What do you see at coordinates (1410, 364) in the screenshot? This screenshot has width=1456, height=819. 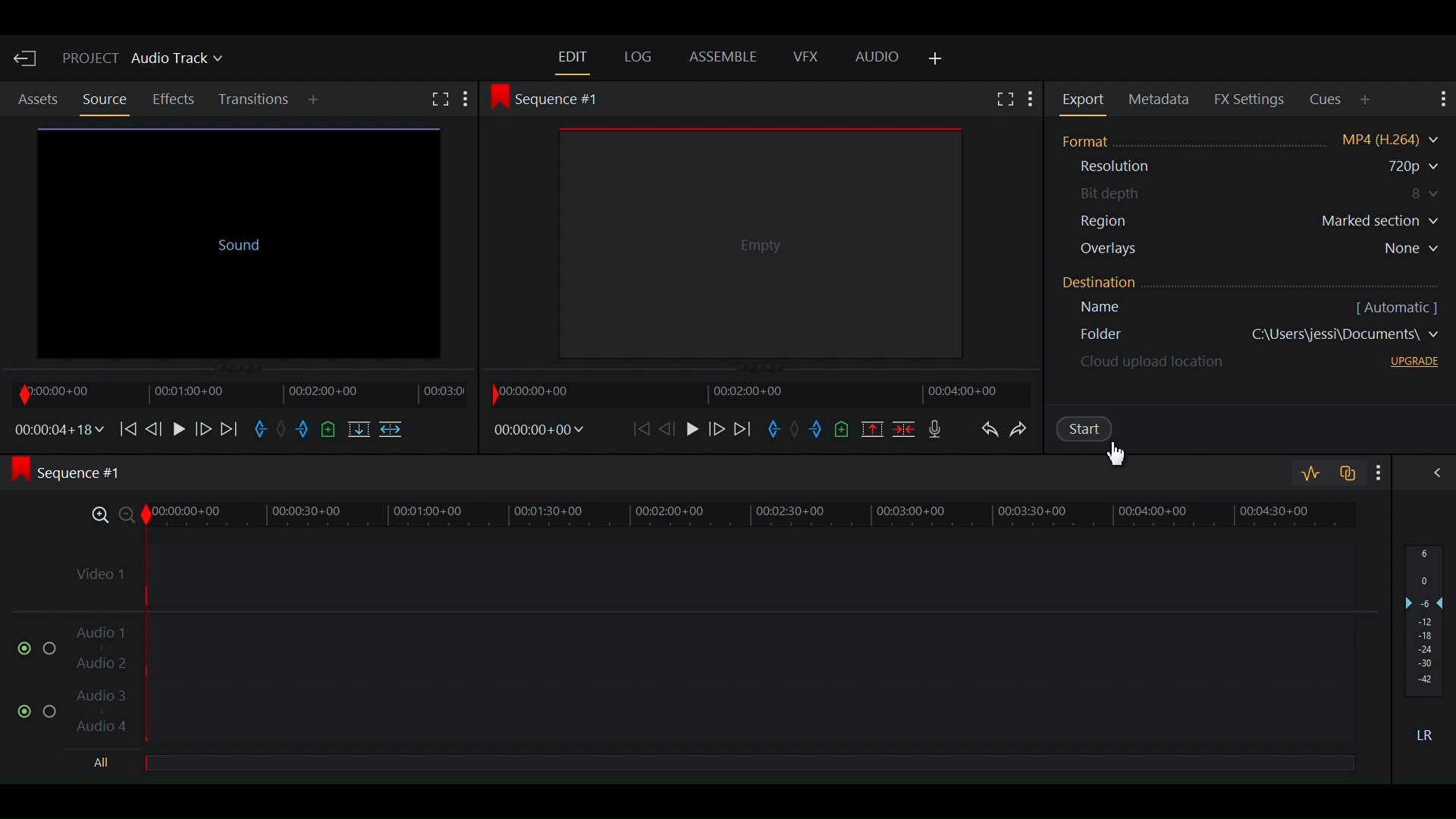 I see `Upgrade` at bounding box center [1410, 364].